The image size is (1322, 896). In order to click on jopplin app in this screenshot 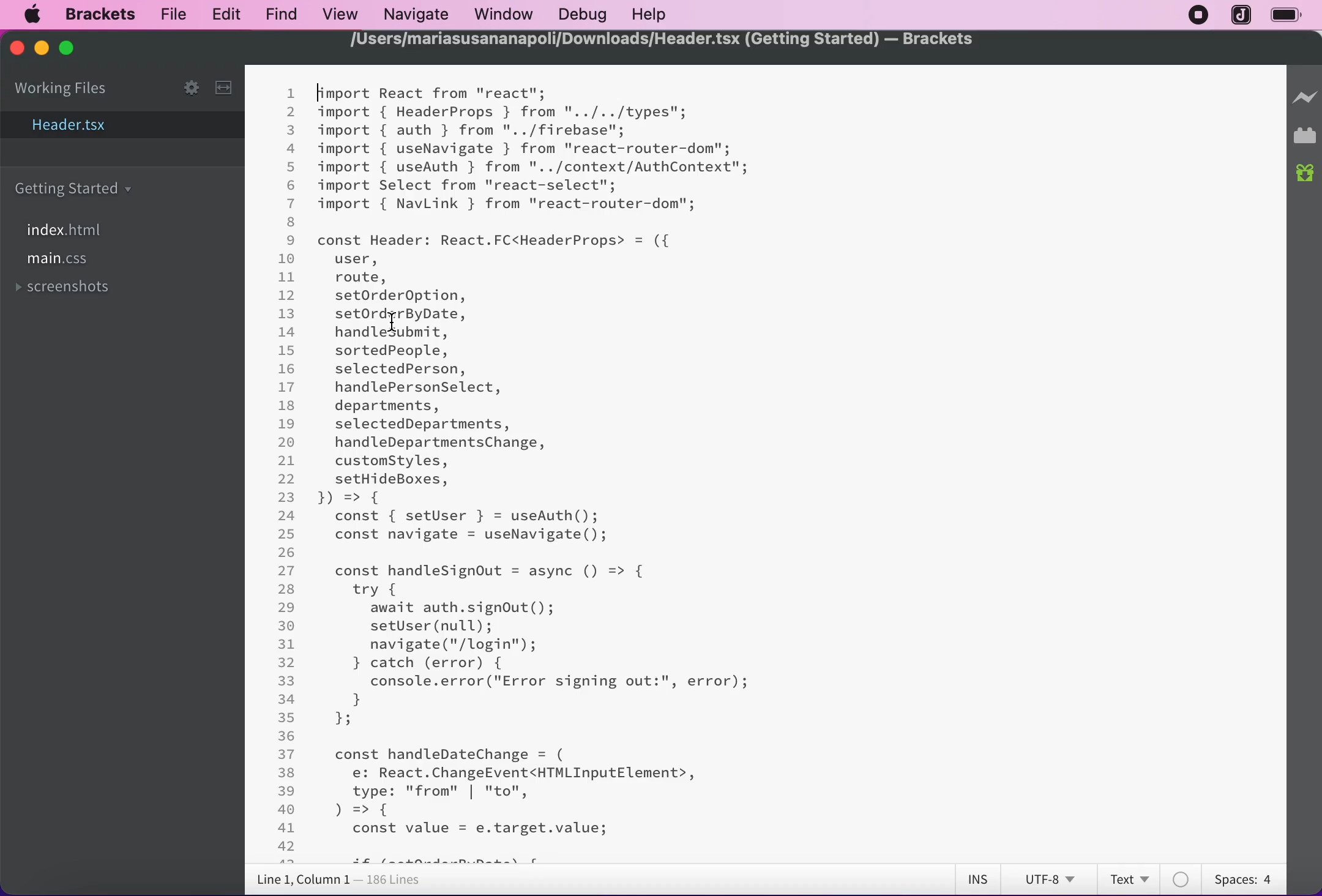, I will do `click(1242, 16)`.